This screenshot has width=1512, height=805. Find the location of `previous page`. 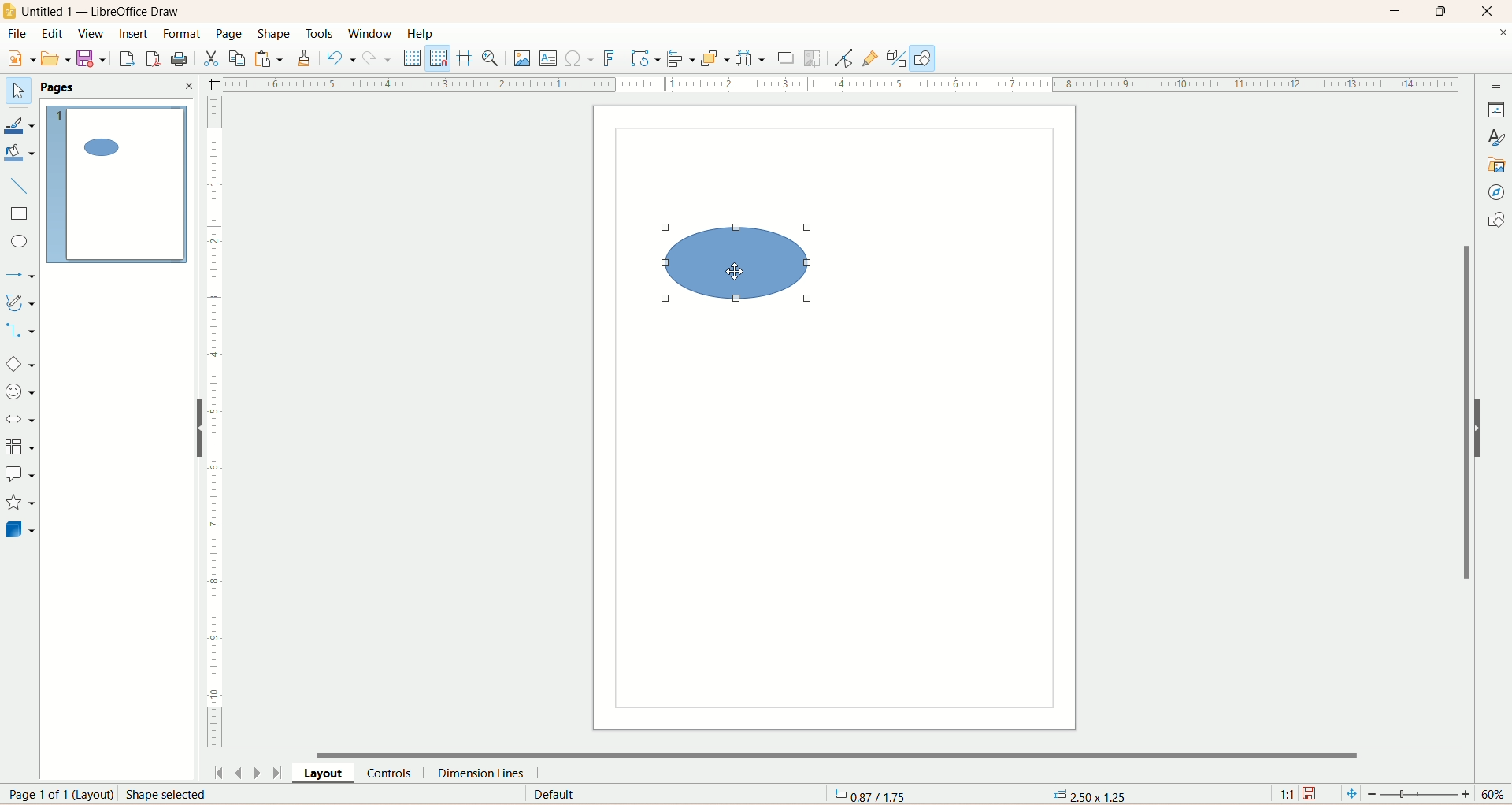

previous page is located at coordinates (239, 772).